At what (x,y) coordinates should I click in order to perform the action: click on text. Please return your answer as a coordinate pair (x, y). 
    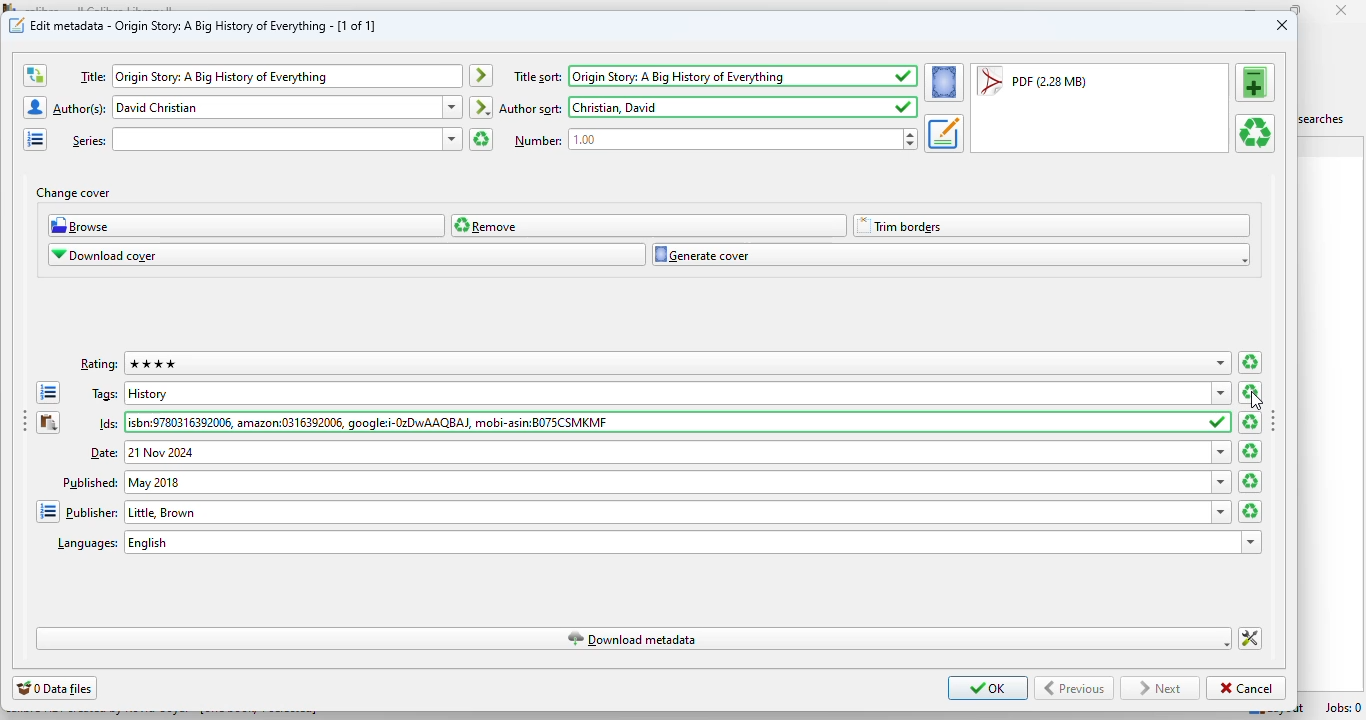
    Looking at the image, I should click on (109, 423).